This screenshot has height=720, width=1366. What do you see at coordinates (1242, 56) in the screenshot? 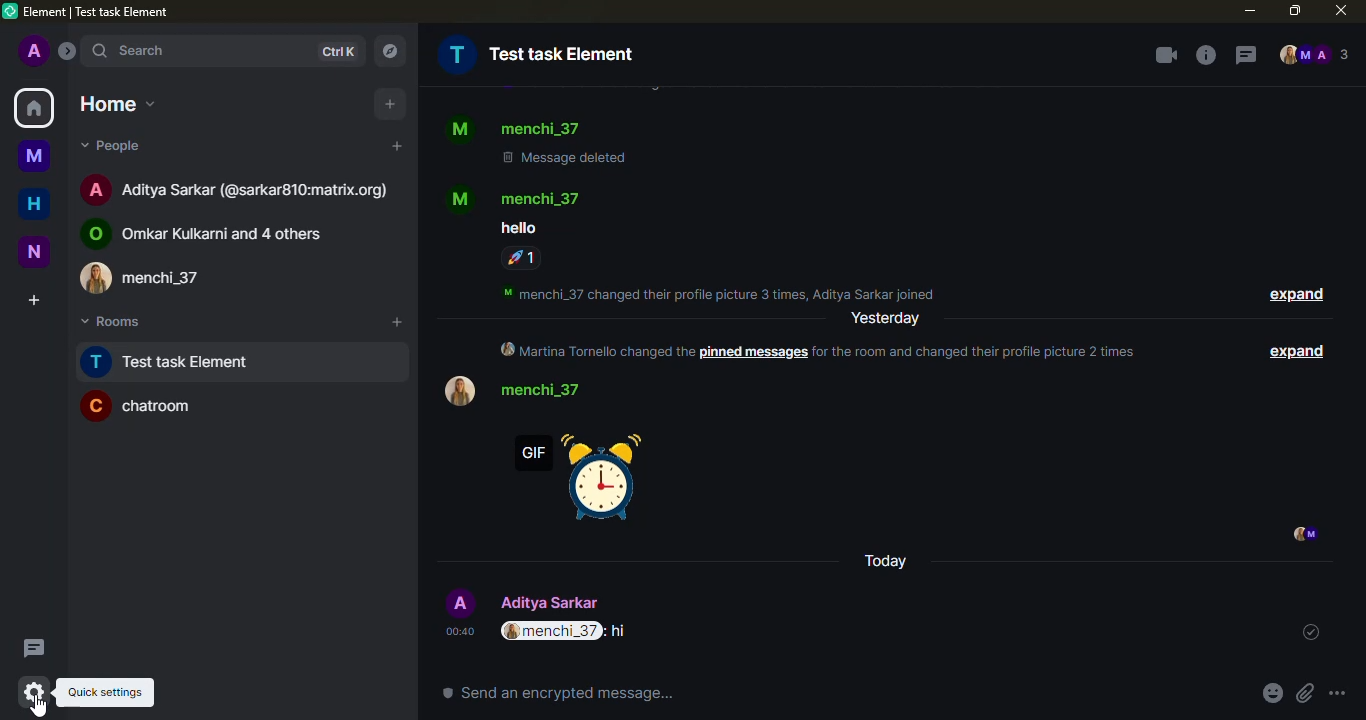
I see `threads` at bounding box center [1242, 56].